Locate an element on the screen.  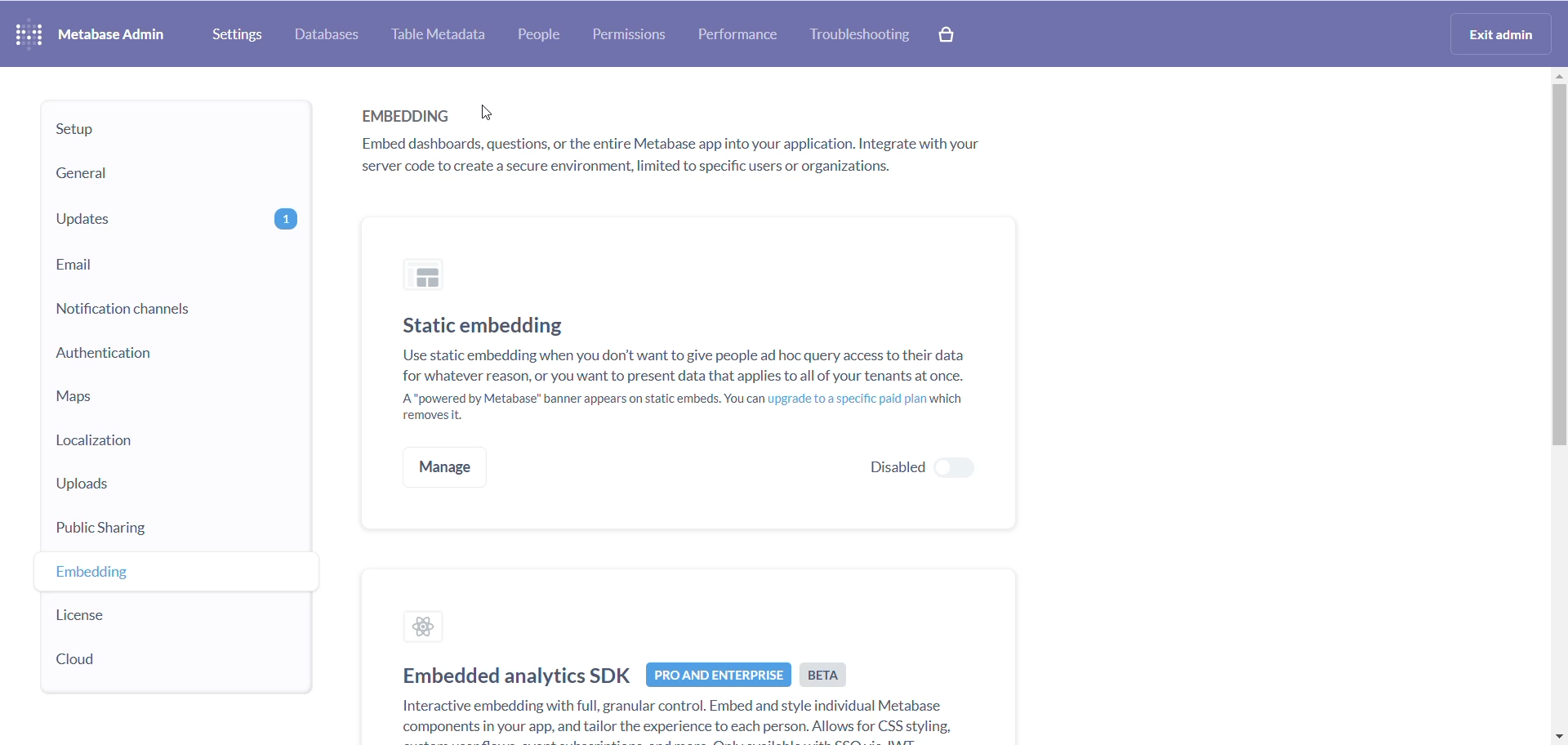
logo is located at coordinates (29, 32).